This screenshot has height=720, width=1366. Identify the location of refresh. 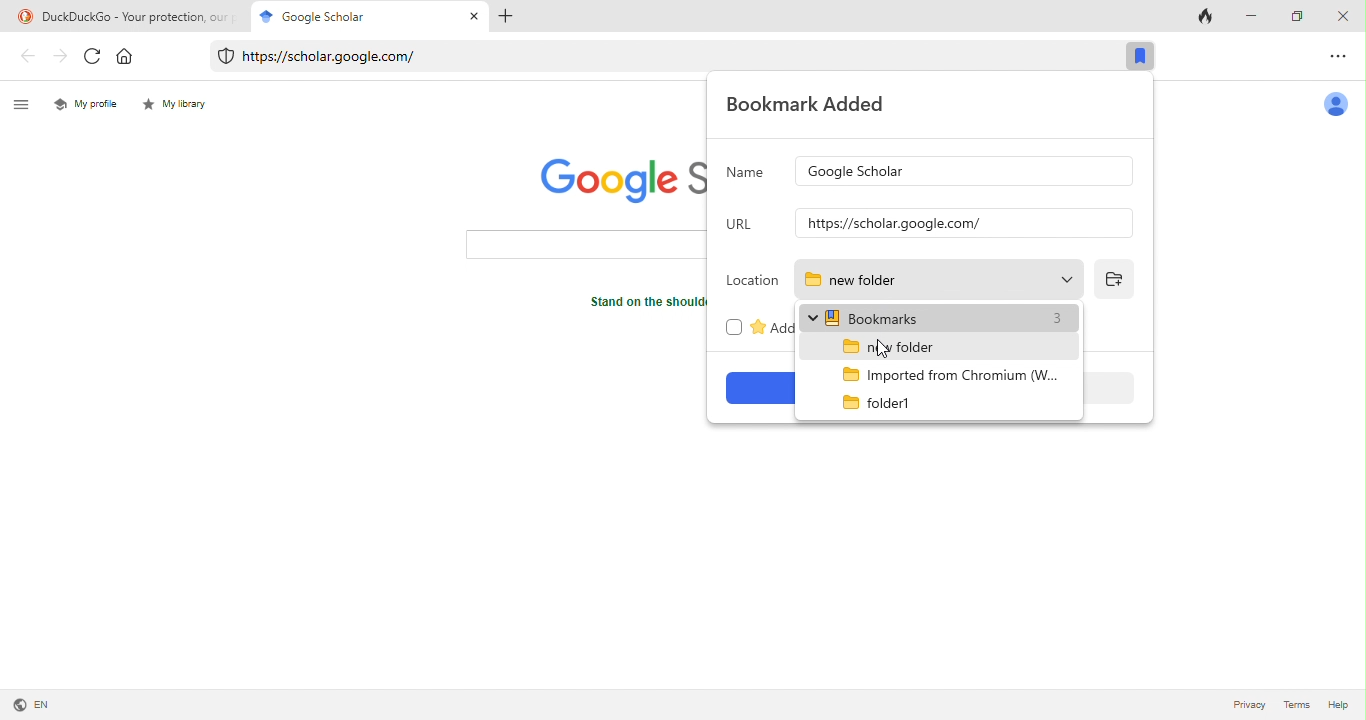
(94, 59).